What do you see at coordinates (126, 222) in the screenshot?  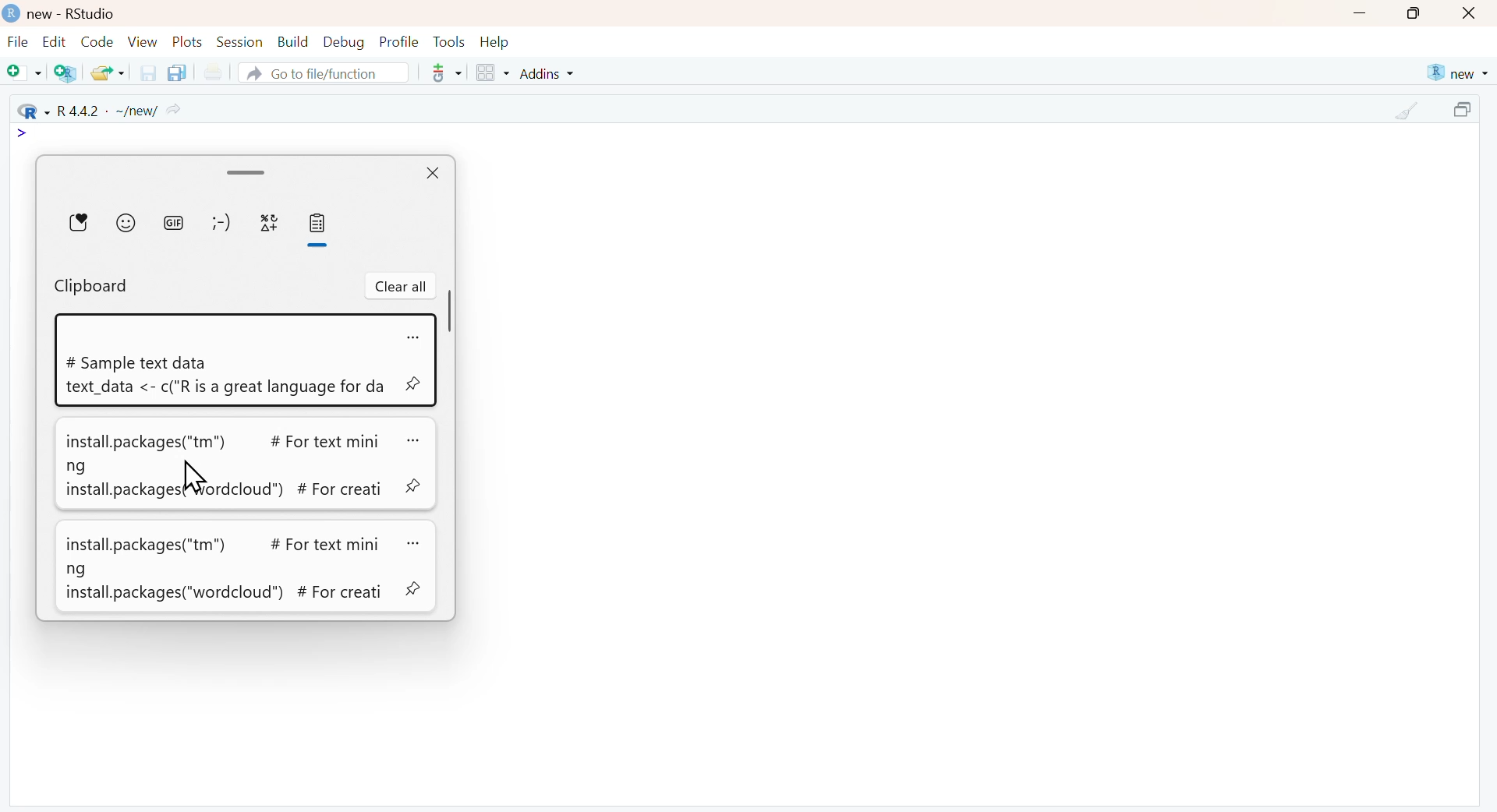 I see `Emoji` at bounding box center [126, 222].